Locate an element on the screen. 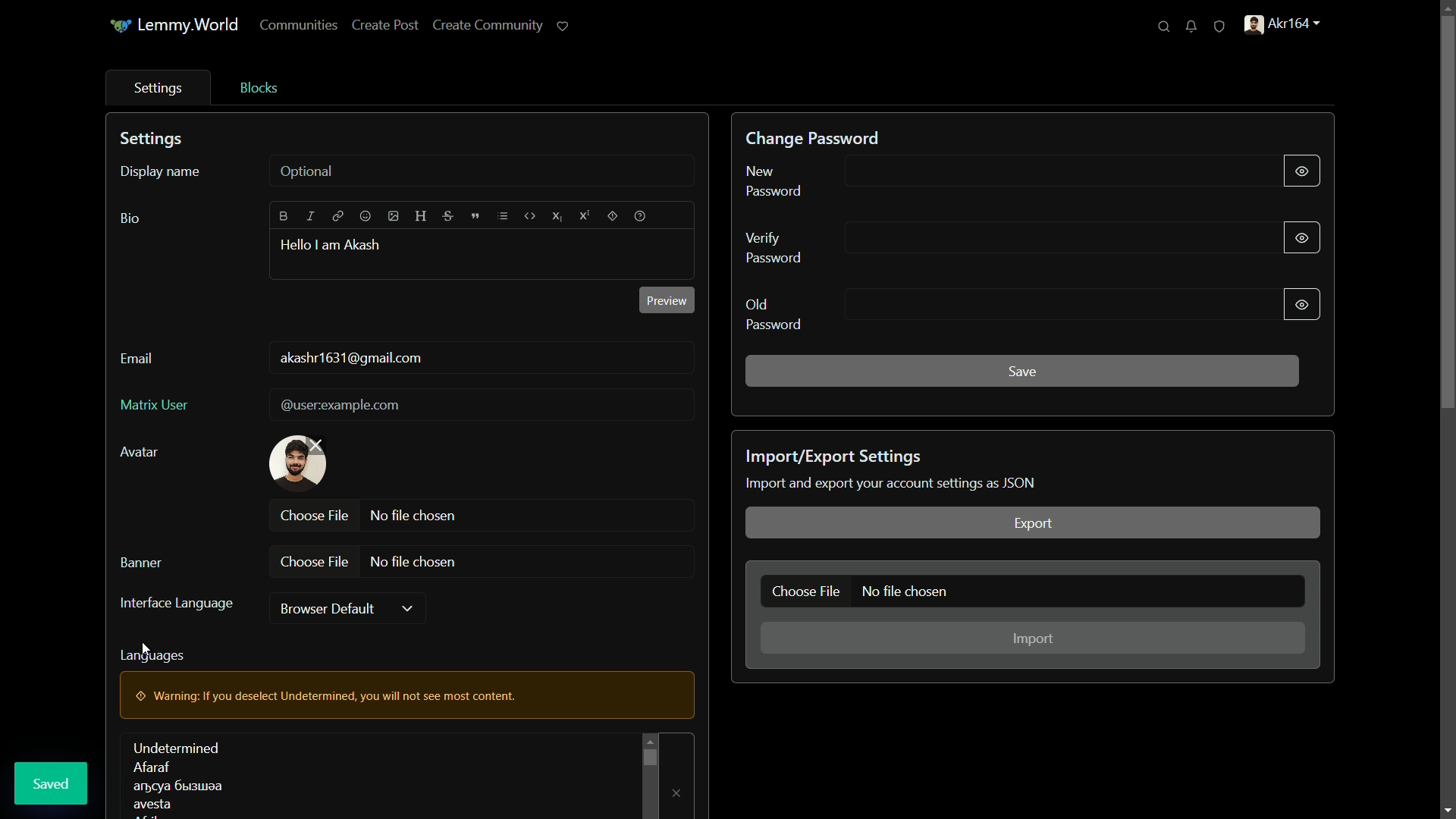 This screenshot has height=819, width=1456. support lemmy.world is located at coordinates (563, 24).